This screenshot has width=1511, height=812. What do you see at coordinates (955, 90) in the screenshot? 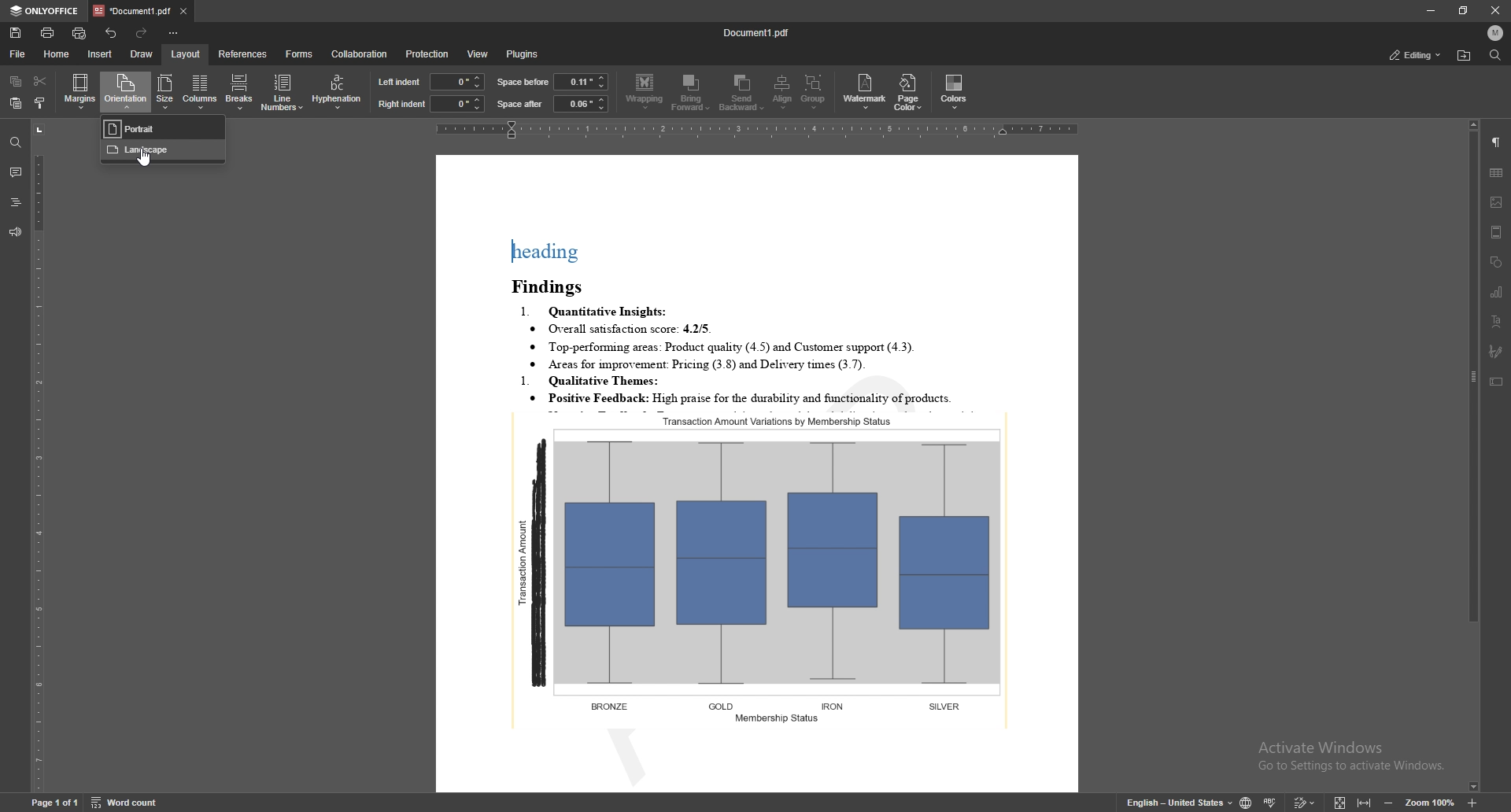
I see `colors` at bounding box center [955, 90].